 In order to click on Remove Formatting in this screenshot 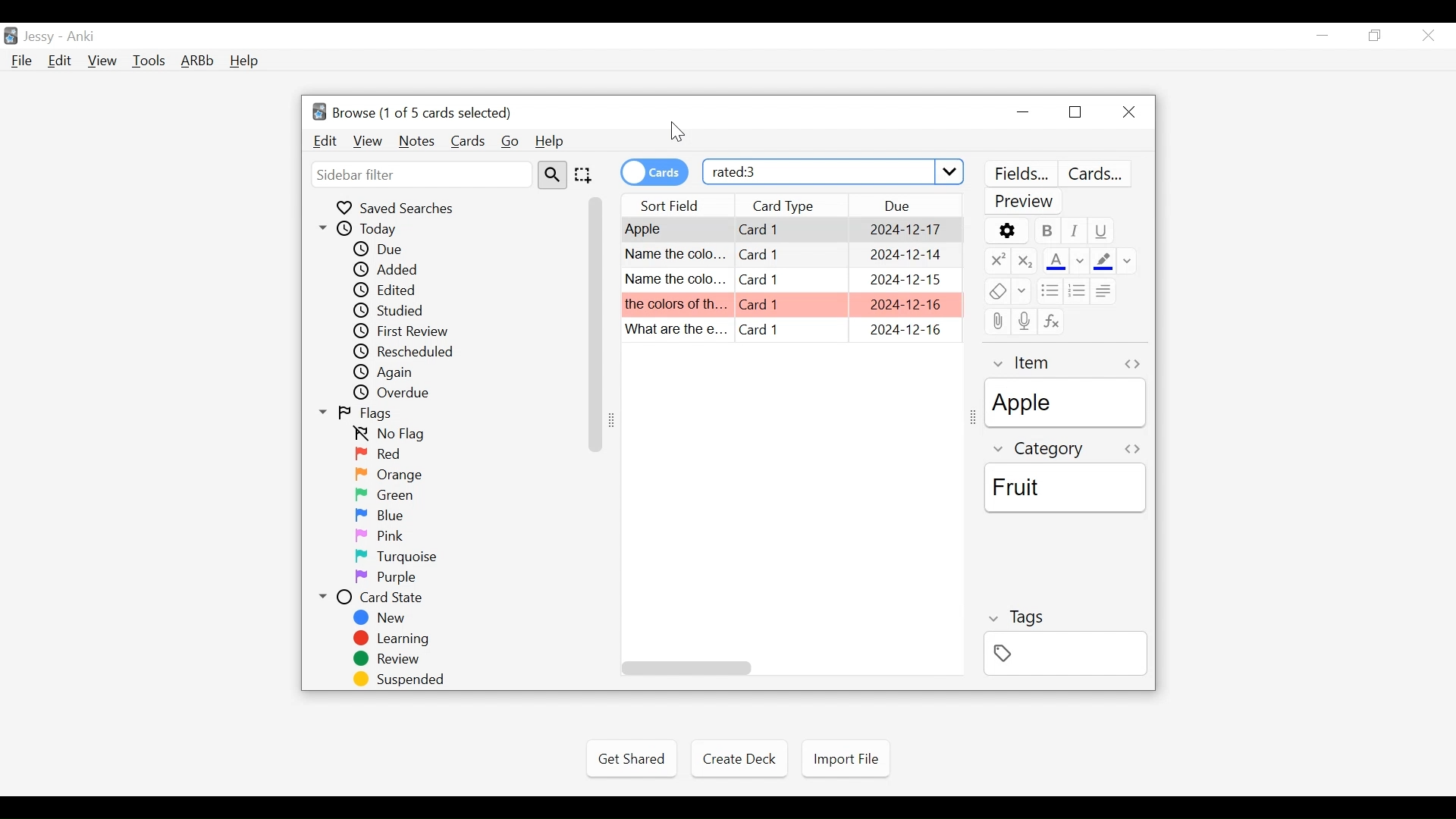, I will do `click(1008, 292)`.